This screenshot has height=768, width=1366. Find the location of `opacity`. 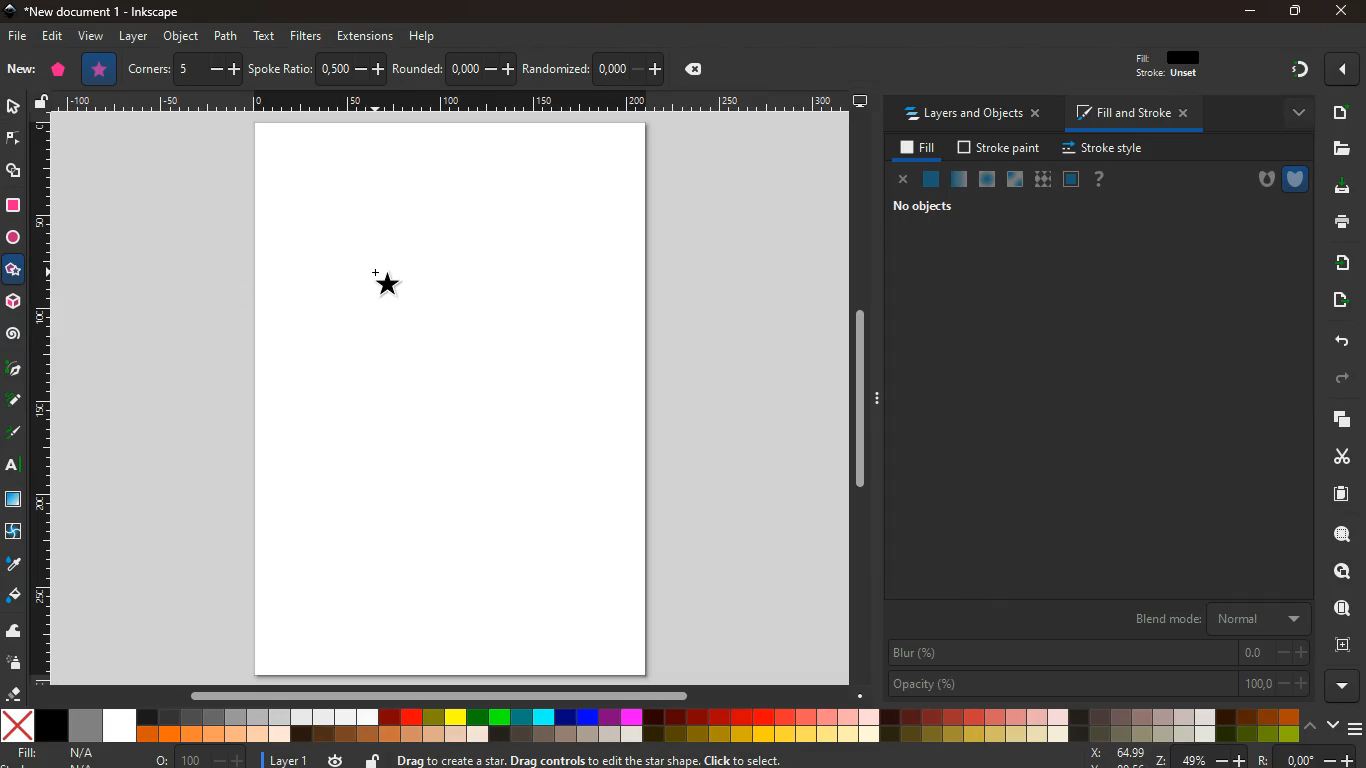

opacity is located at coordinates (960, 182).